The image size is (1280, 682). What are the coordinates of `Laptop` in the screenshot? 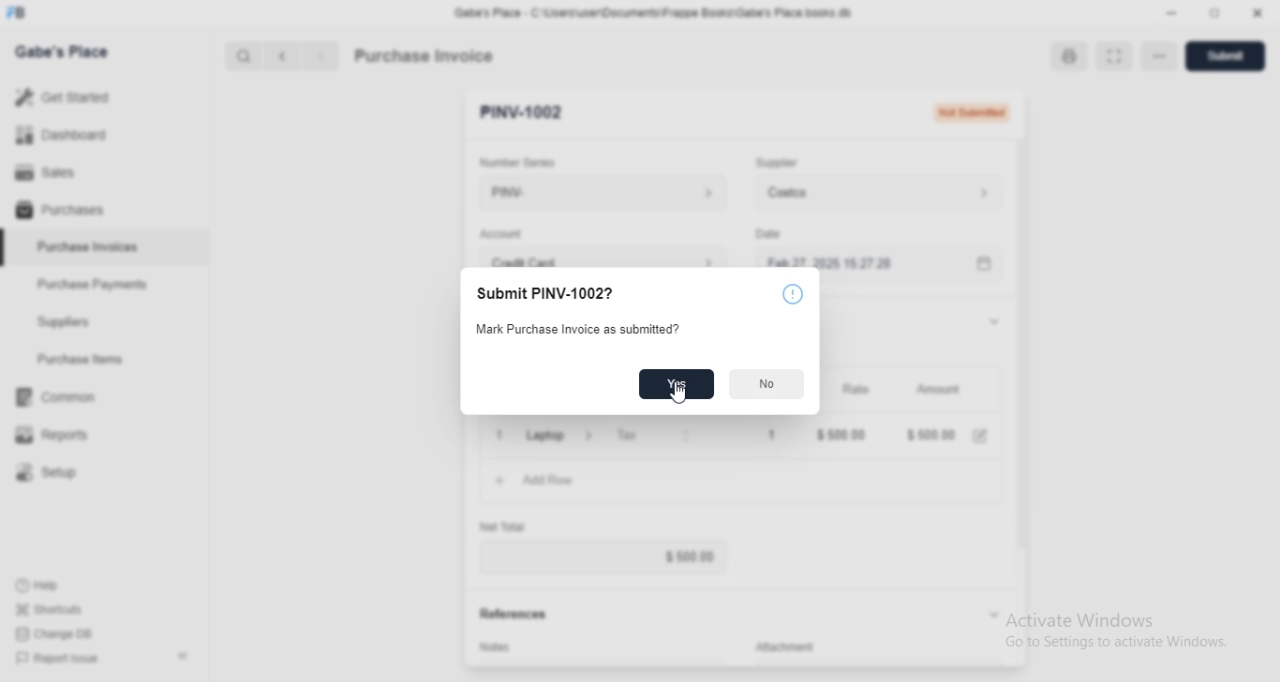 It's located at (559, 435).